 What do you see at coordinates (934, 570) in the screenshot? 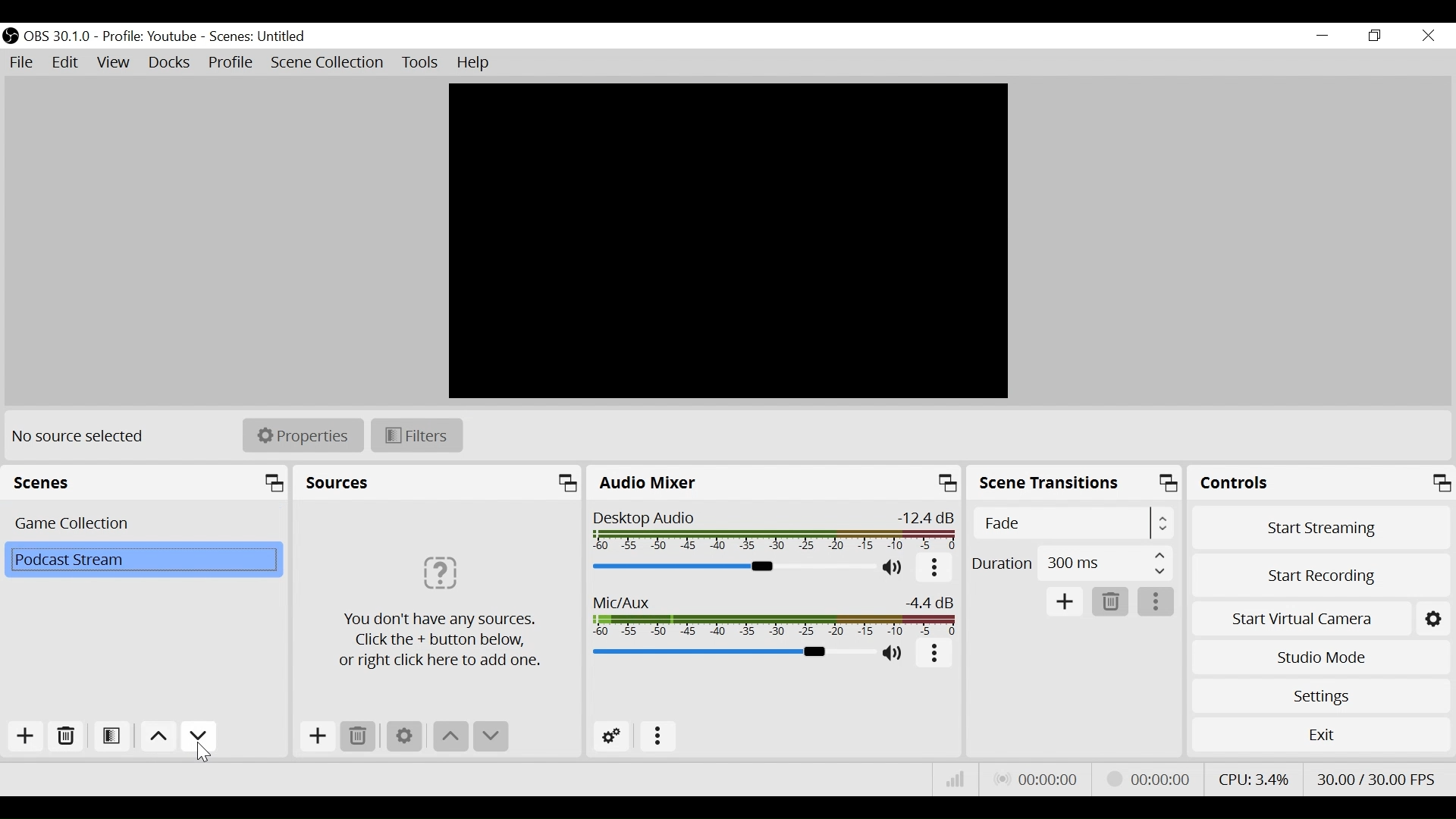
I see `more options` at bounding box center [934, 570].